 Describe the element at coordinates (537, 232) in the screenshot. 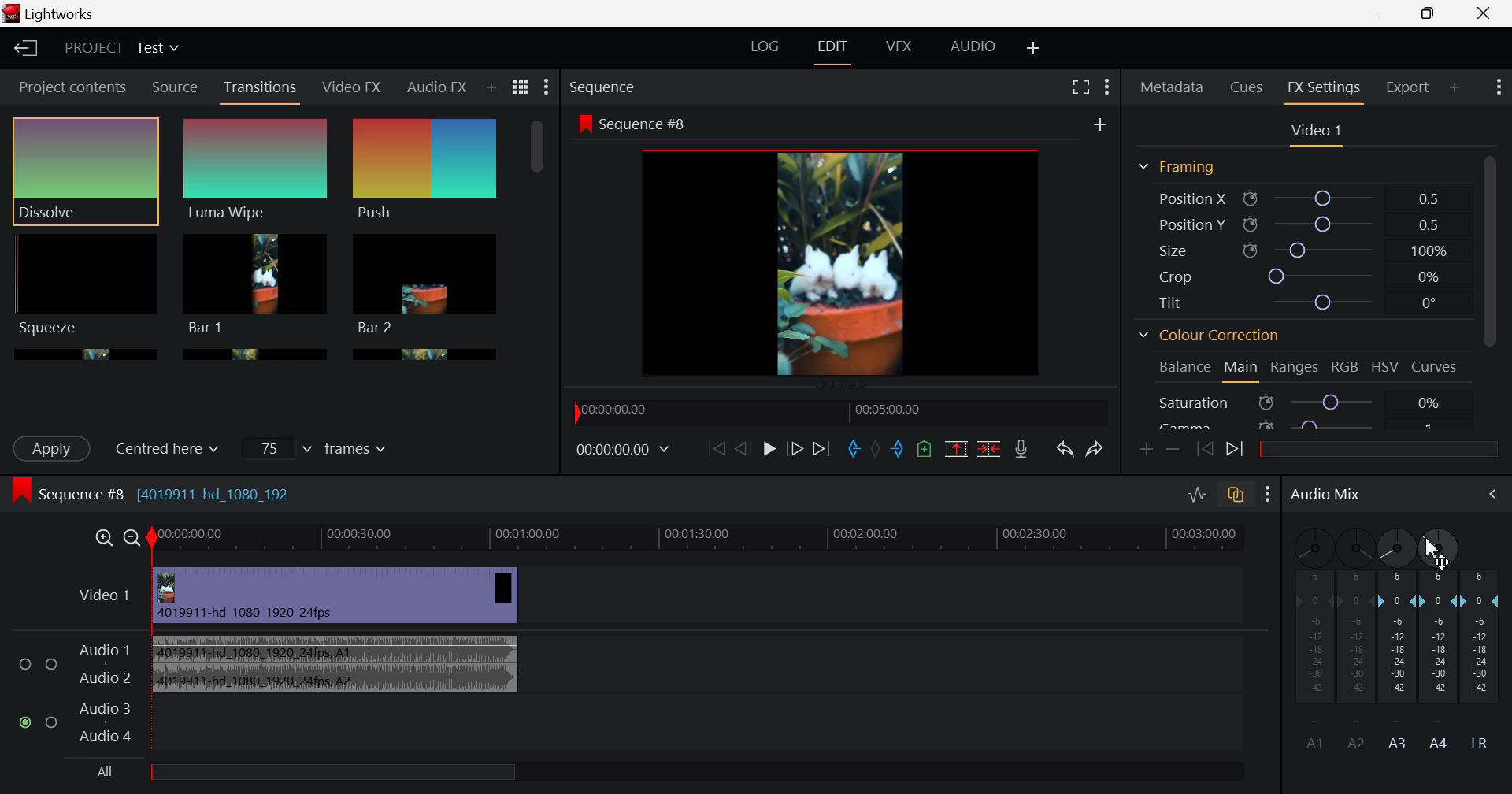

I see `Scroll Bar` at that location.